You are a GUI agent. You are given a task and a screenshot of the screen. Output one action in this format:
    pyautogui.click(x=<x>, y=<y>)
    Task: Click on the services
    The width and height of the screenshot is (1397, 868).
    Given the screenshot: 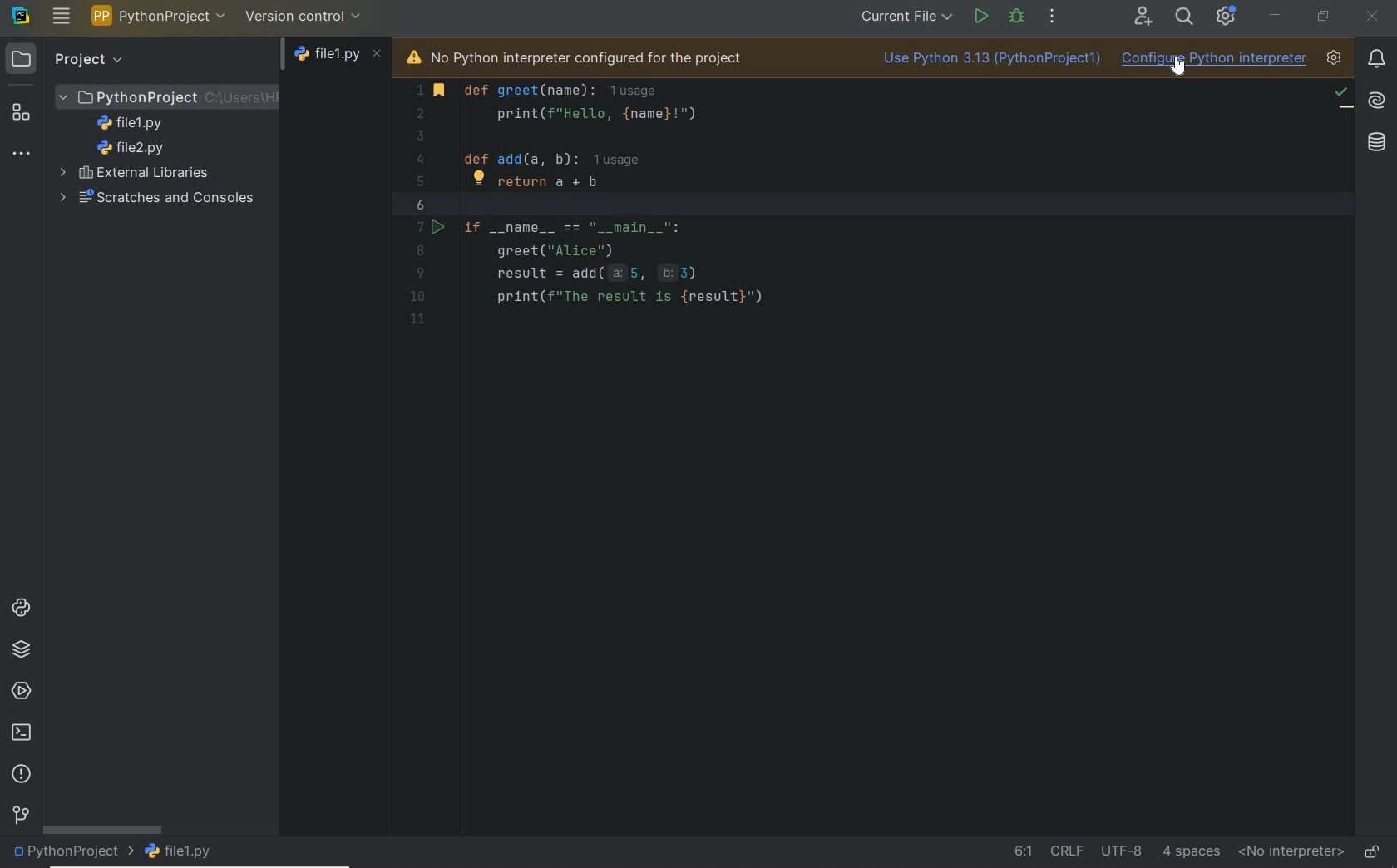 What is the action you would take?
    pyautogui.click(x=22, y=693)
    